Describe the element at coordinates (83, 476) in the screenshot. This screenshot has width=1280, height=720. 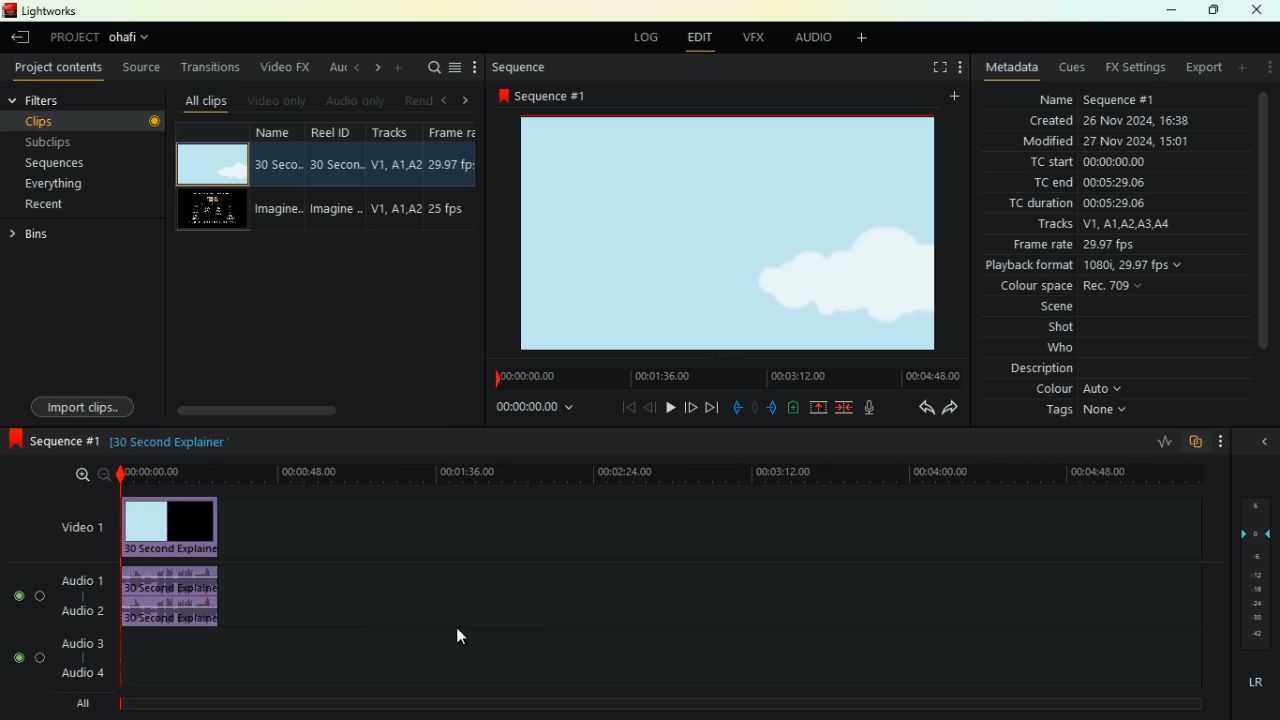
I see `zoom` at that location.